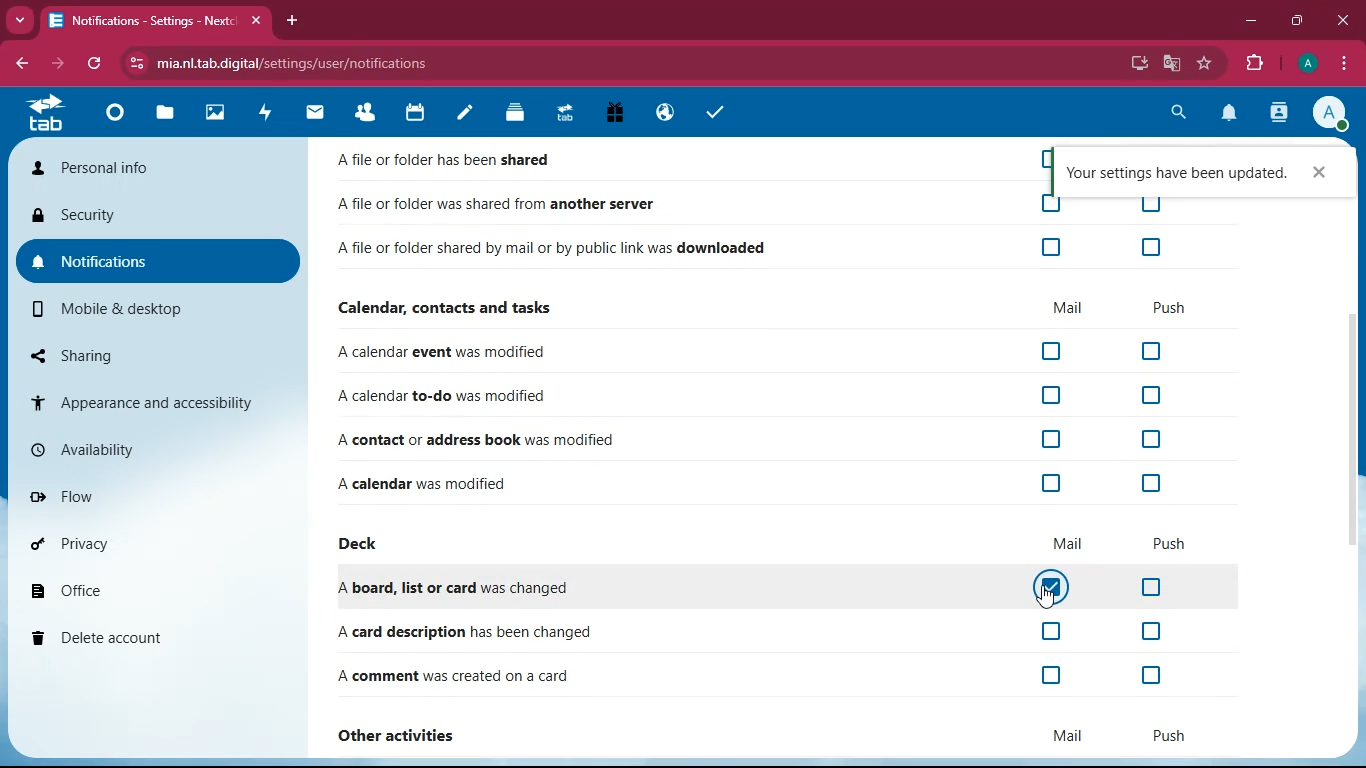  Describe the element at coordinates (1152, 206) in the screenshot. I see `off` at that location.